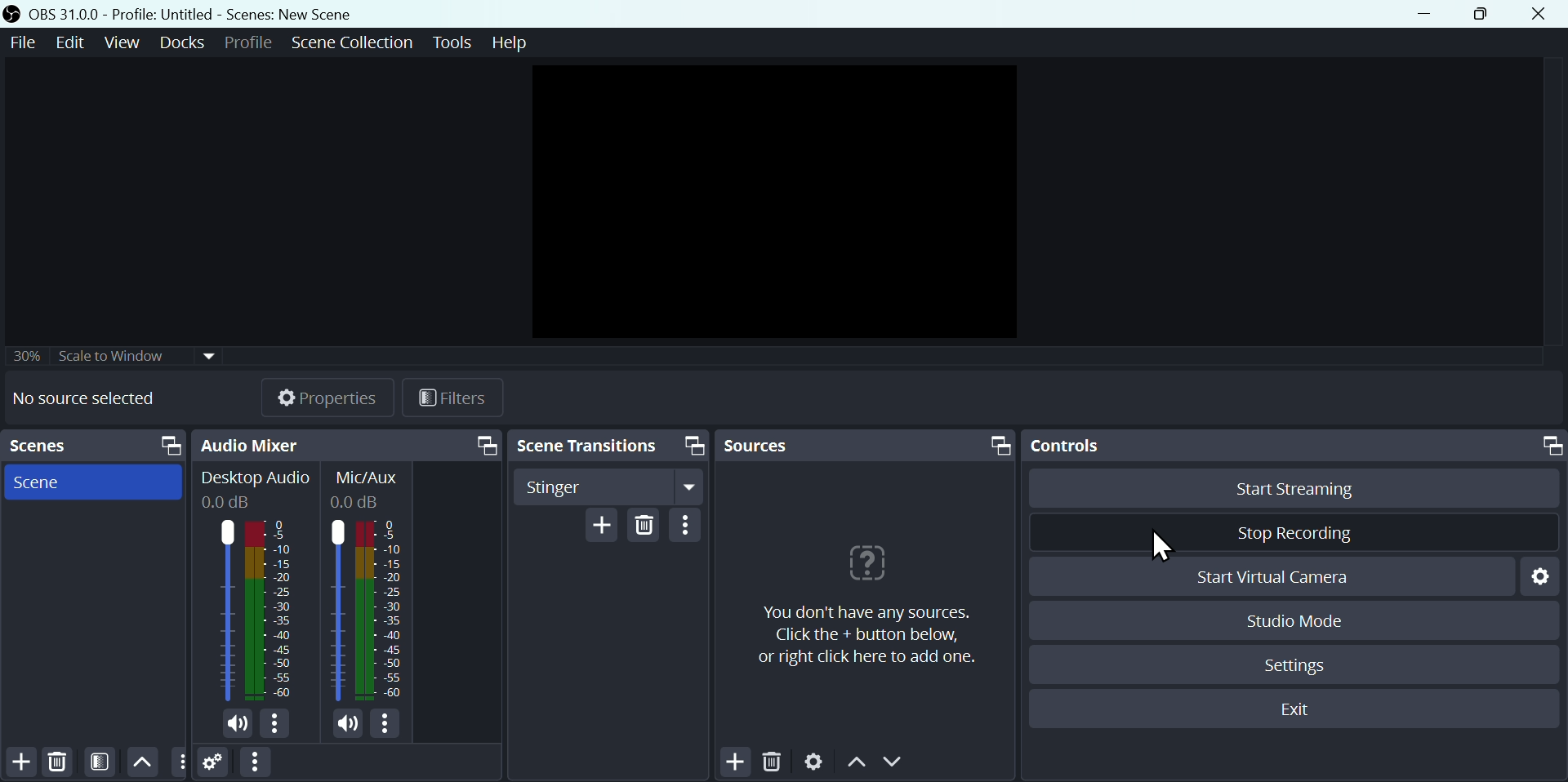  What do you see at coordinates (99, 760) in the screenshot?
I see `Filter` at bounding box center [99, 760].